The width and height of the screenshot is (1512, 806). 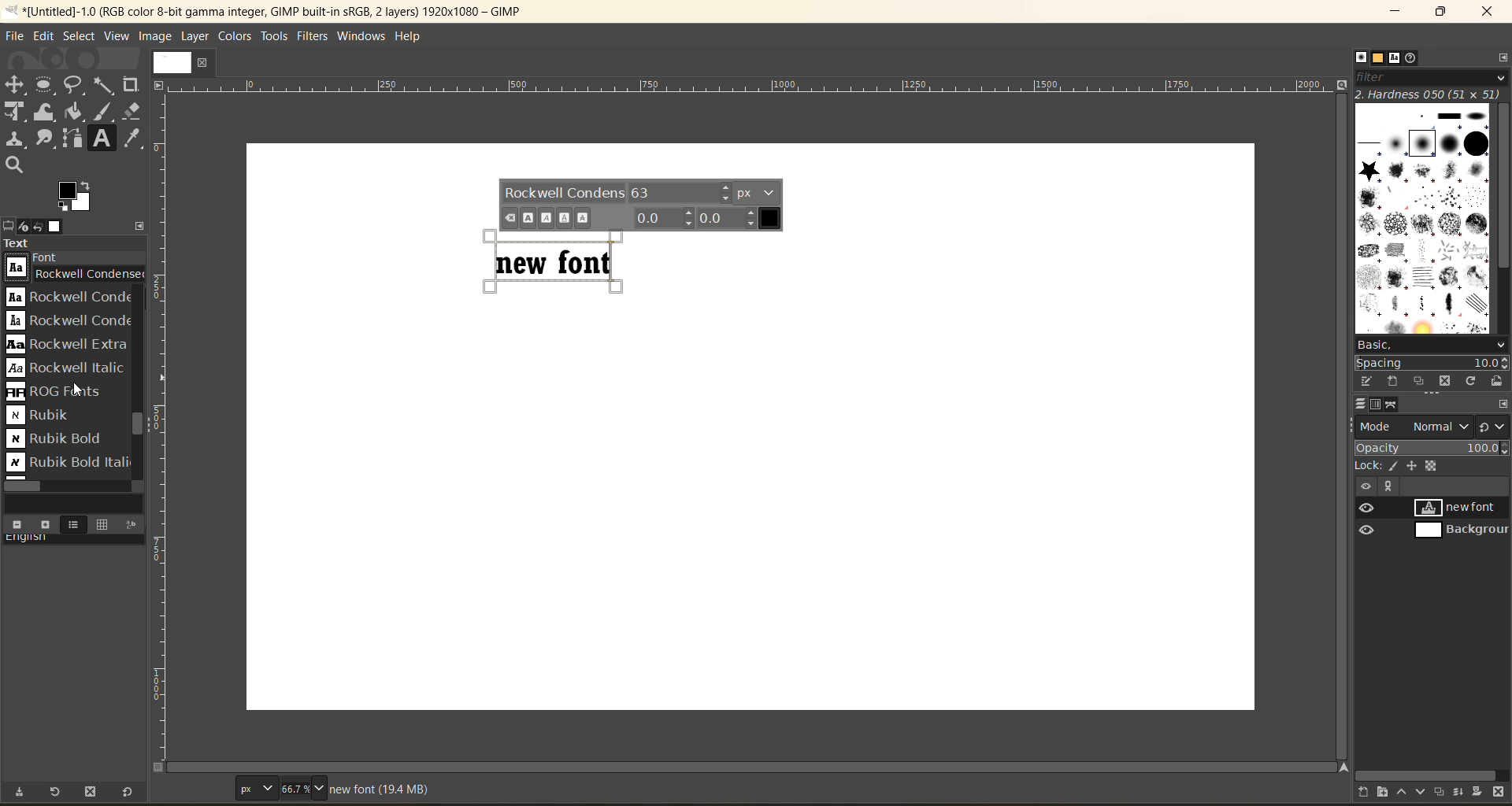 I want to click on file name and app title, so click(x=298, y=14).